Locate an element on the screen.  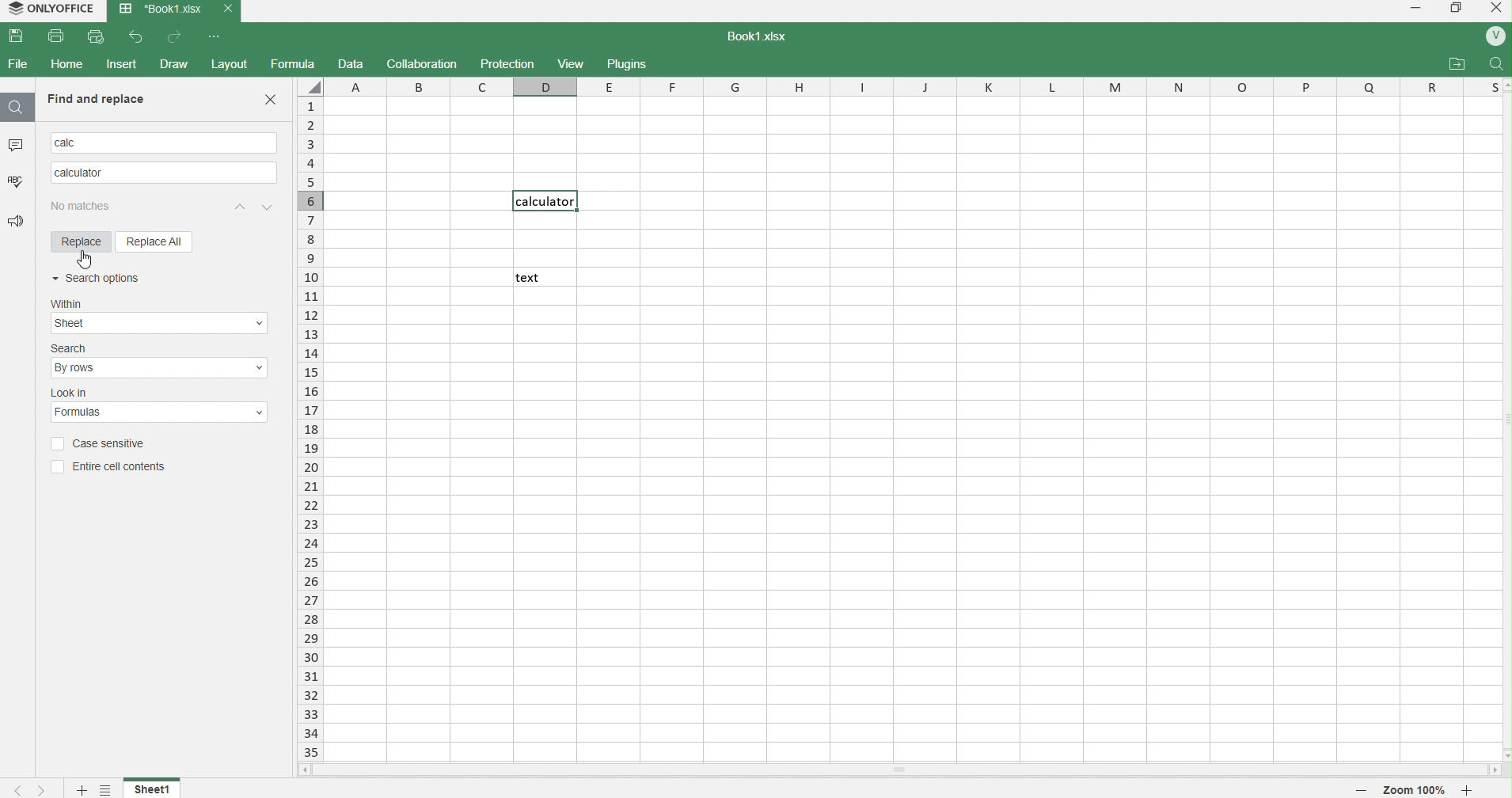
onlyoffice is located at coordinates (48, 9).